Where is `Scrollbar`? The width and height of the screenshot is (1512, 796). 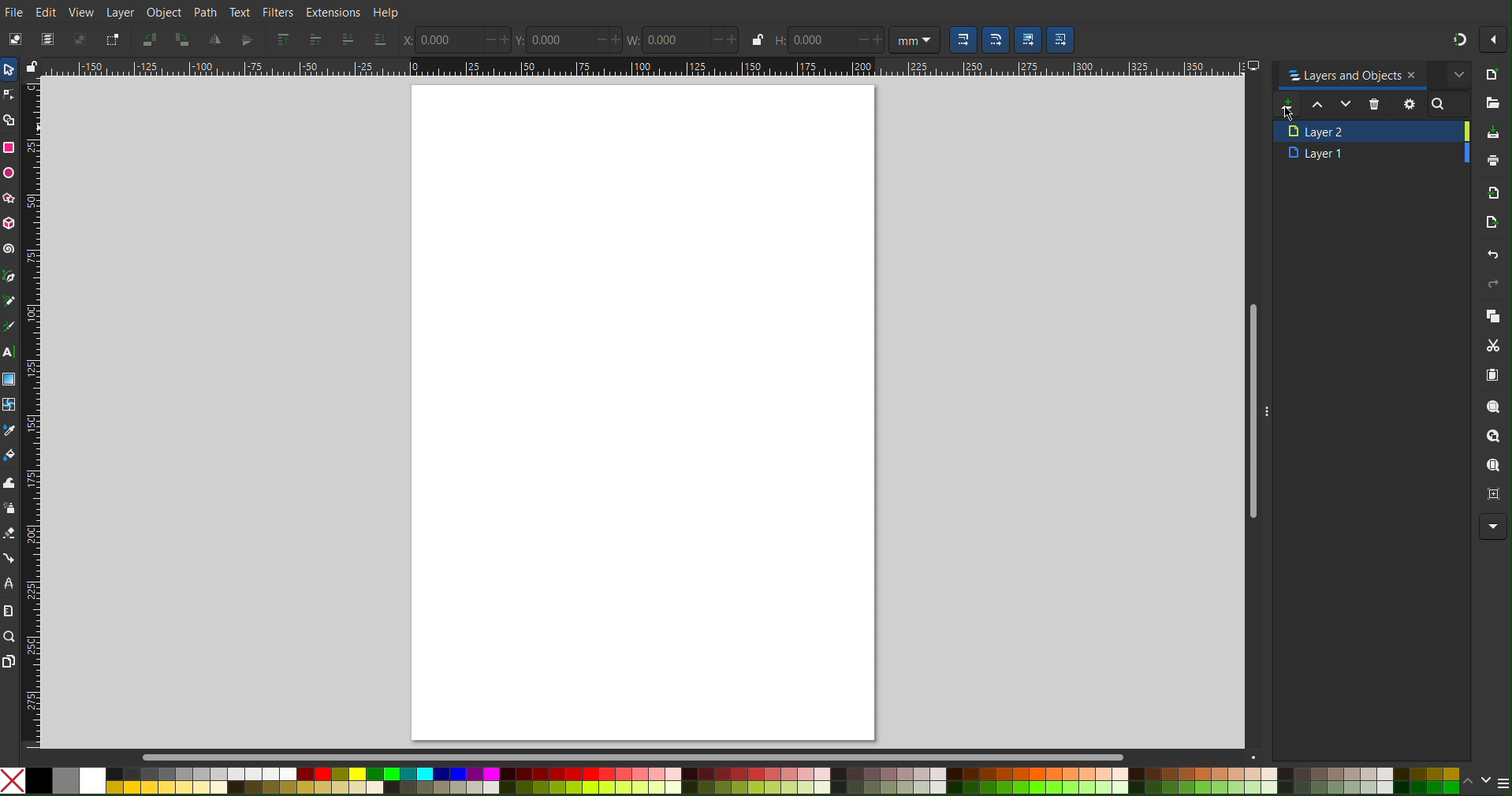
Scrollbar is located at coordinates (260, 757).